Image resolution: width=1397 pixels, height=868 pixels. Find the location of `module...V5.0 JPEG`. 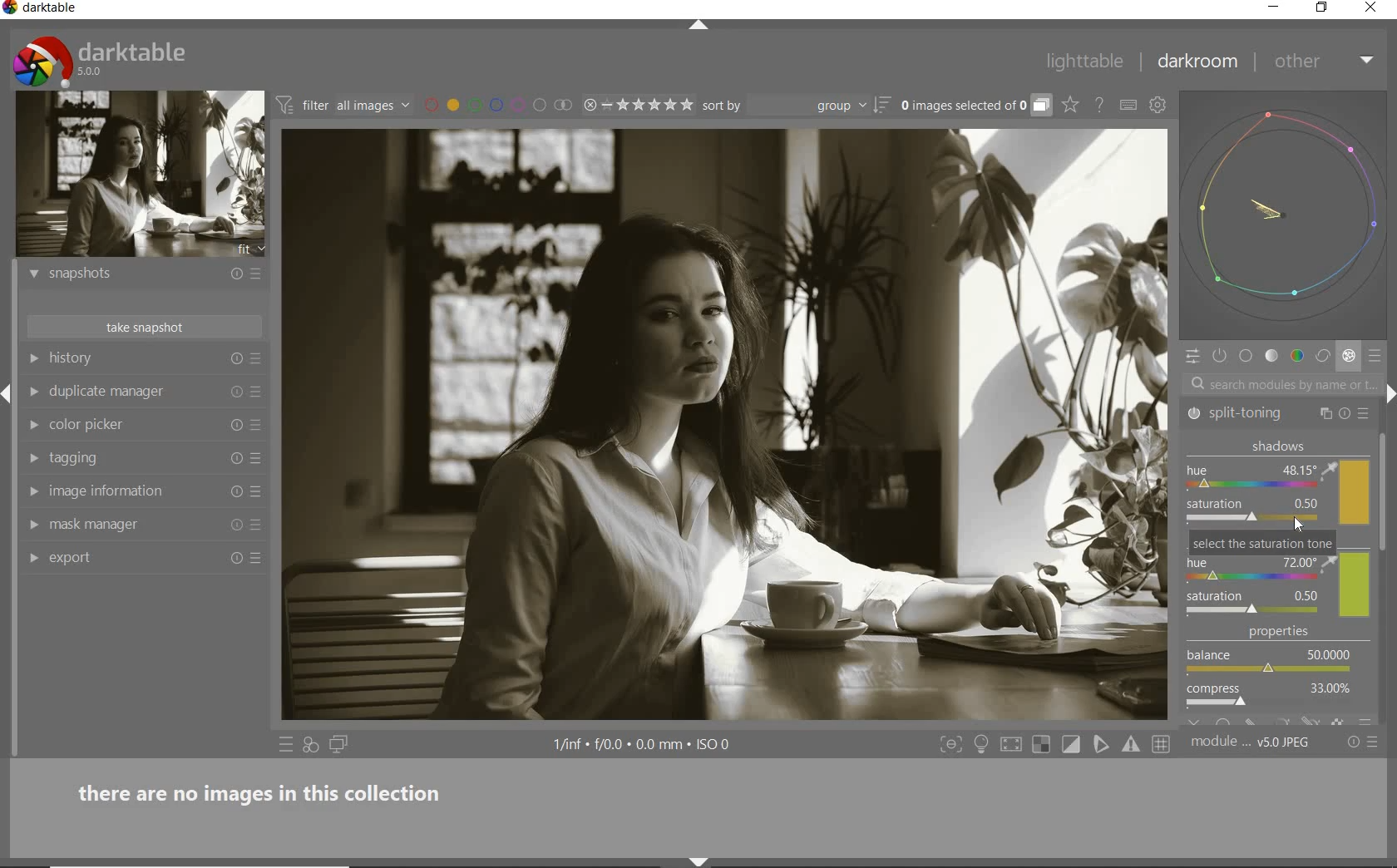

module...V5.0 JPEG is located at coordinates (1251, 742).